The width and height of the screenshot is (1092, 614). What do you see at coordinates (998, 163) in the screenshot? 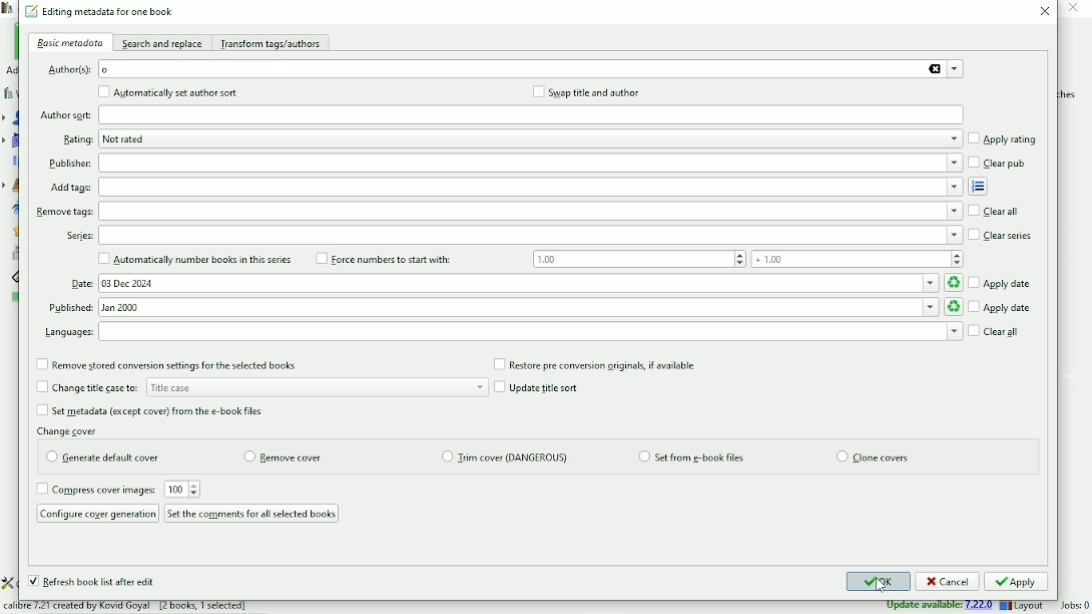
I see `Clear pub` at bounding box center [998, 163].